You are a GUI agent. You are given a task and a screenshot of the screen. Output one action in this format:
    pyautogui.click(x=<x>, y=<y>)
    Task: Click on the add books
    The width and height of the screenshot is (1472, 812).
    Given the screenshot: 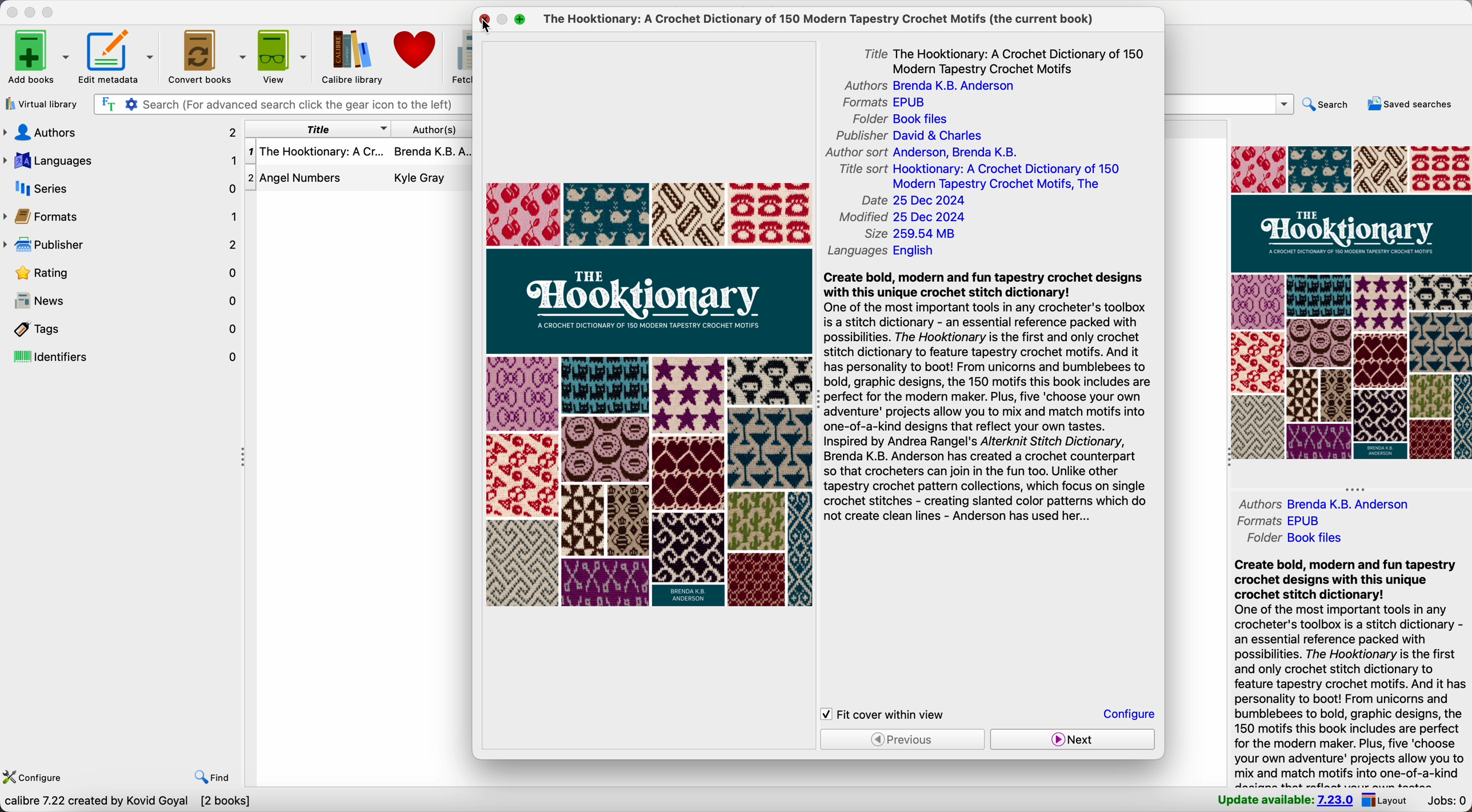 What is the action you would take?
    pyautogui.click(x=38, y=58)
    